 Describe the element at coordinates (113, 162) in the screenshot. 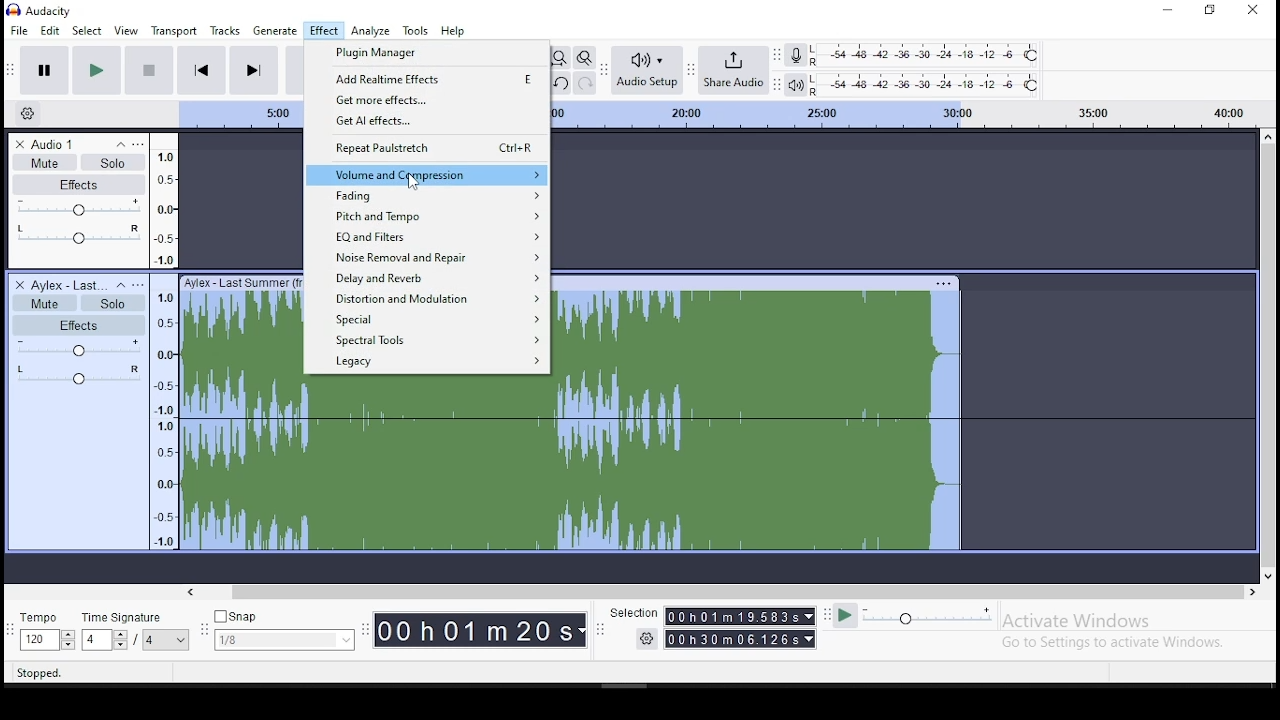

I see `solo` at that location.